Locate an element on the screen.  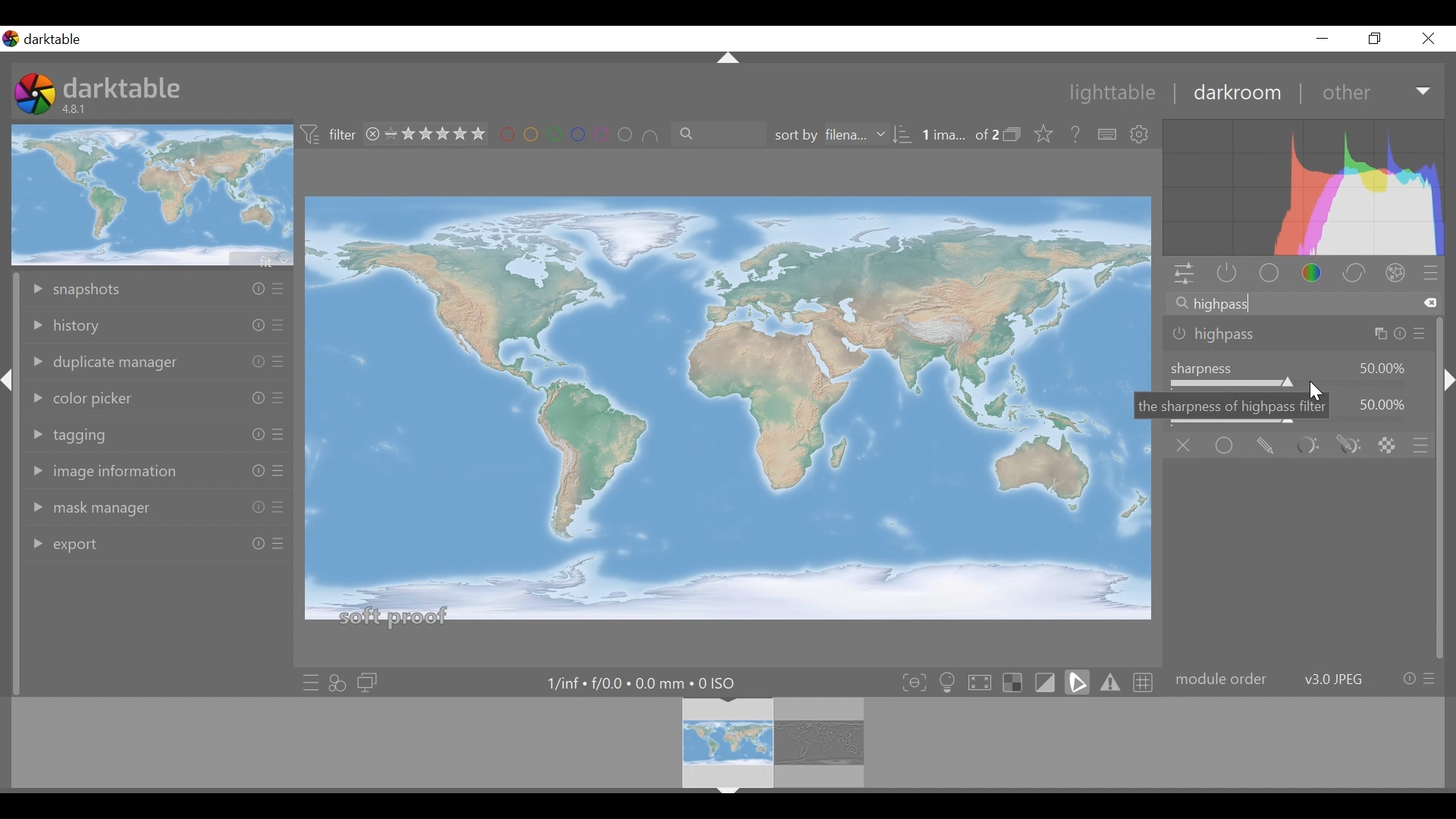
minimize is located at coordinates (1322, 38).